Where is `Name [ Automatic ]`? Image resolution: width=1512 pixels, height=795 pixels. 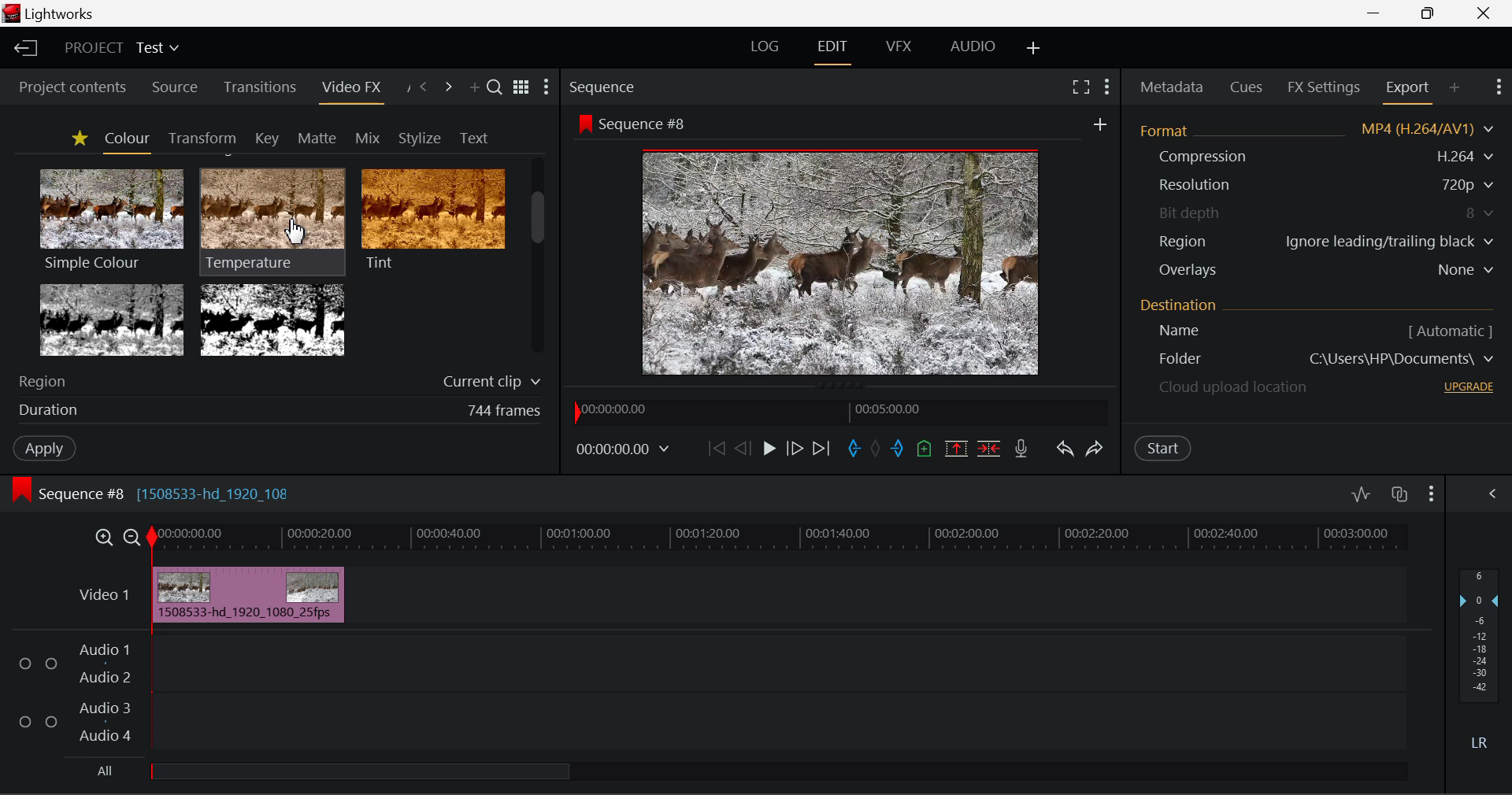 Name [ Automatic ] is located at coordinates (1173, 331).